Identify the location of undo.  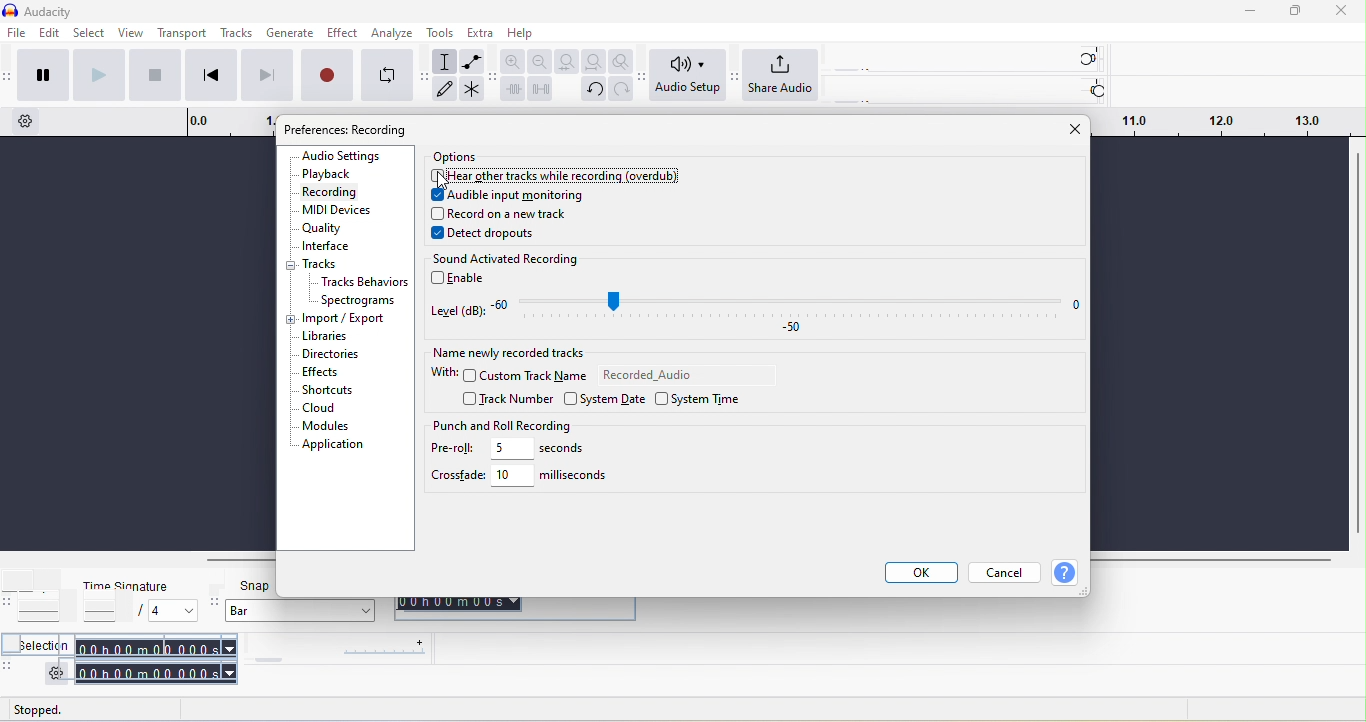
(595, 90).